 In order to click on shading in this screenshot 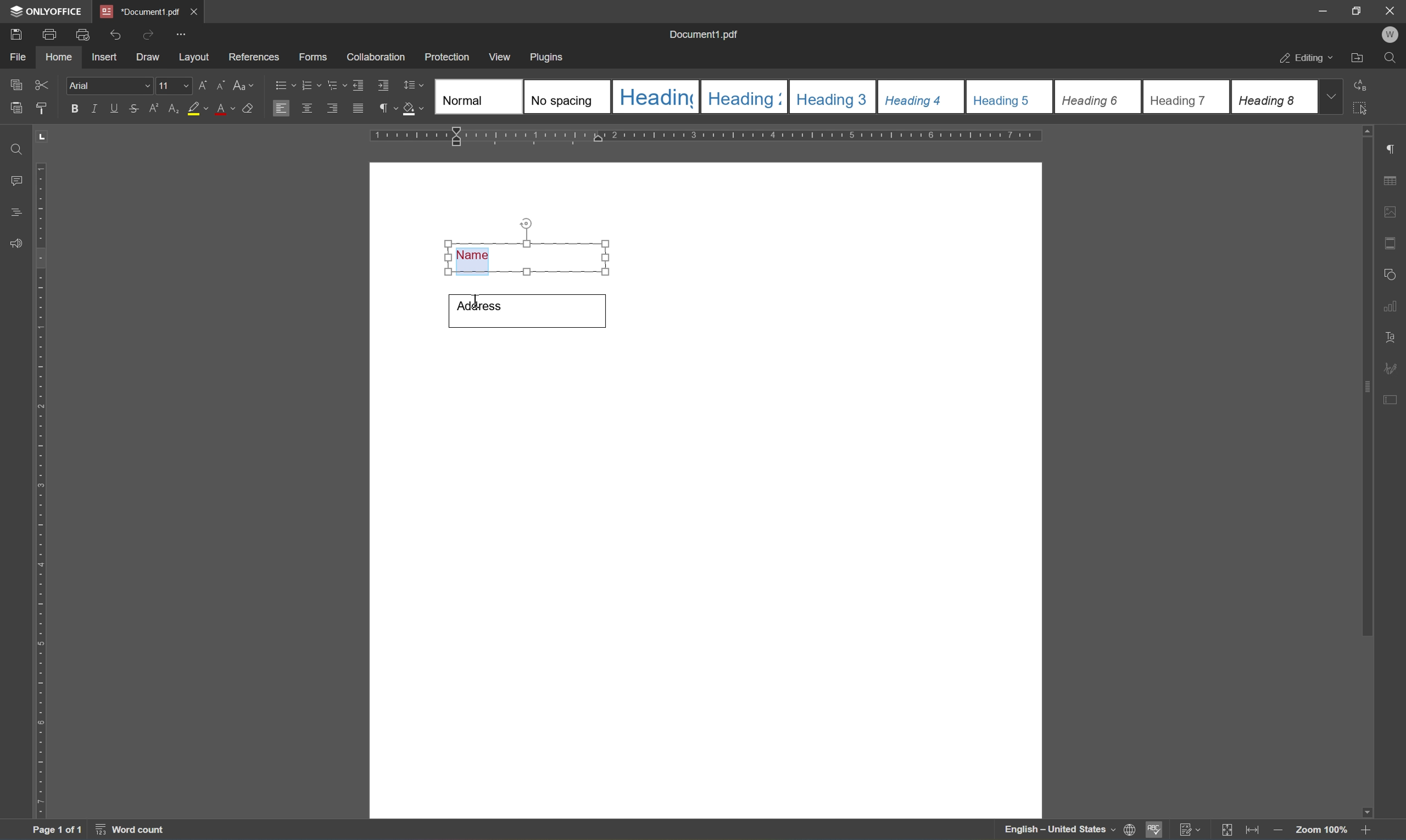, I will do `click(414, 110)`.